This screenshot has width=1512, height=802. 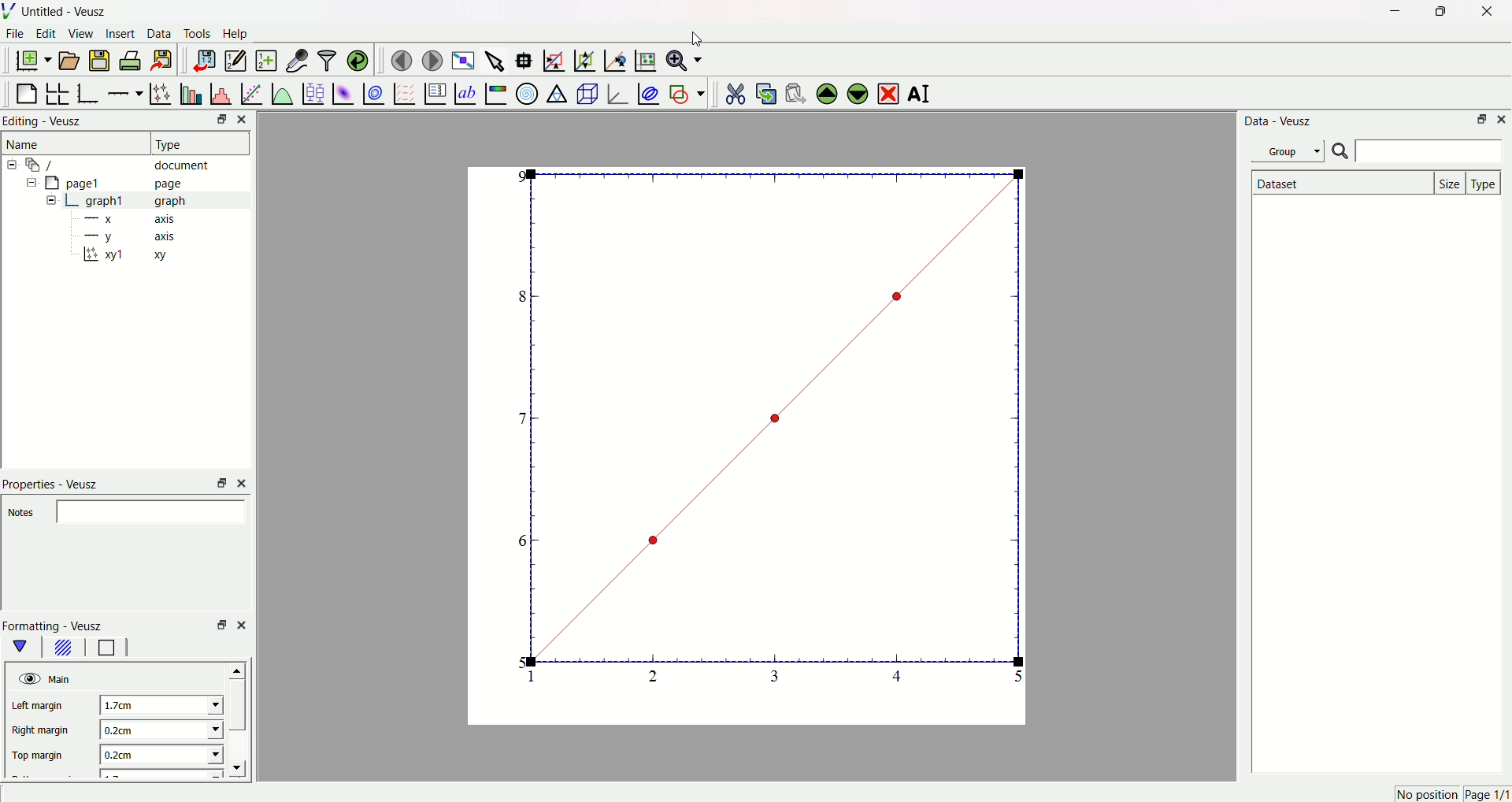 What do you see at coordinates (240, 34) in the screenshot?
I see `Help` at bounding box center [240, 34].